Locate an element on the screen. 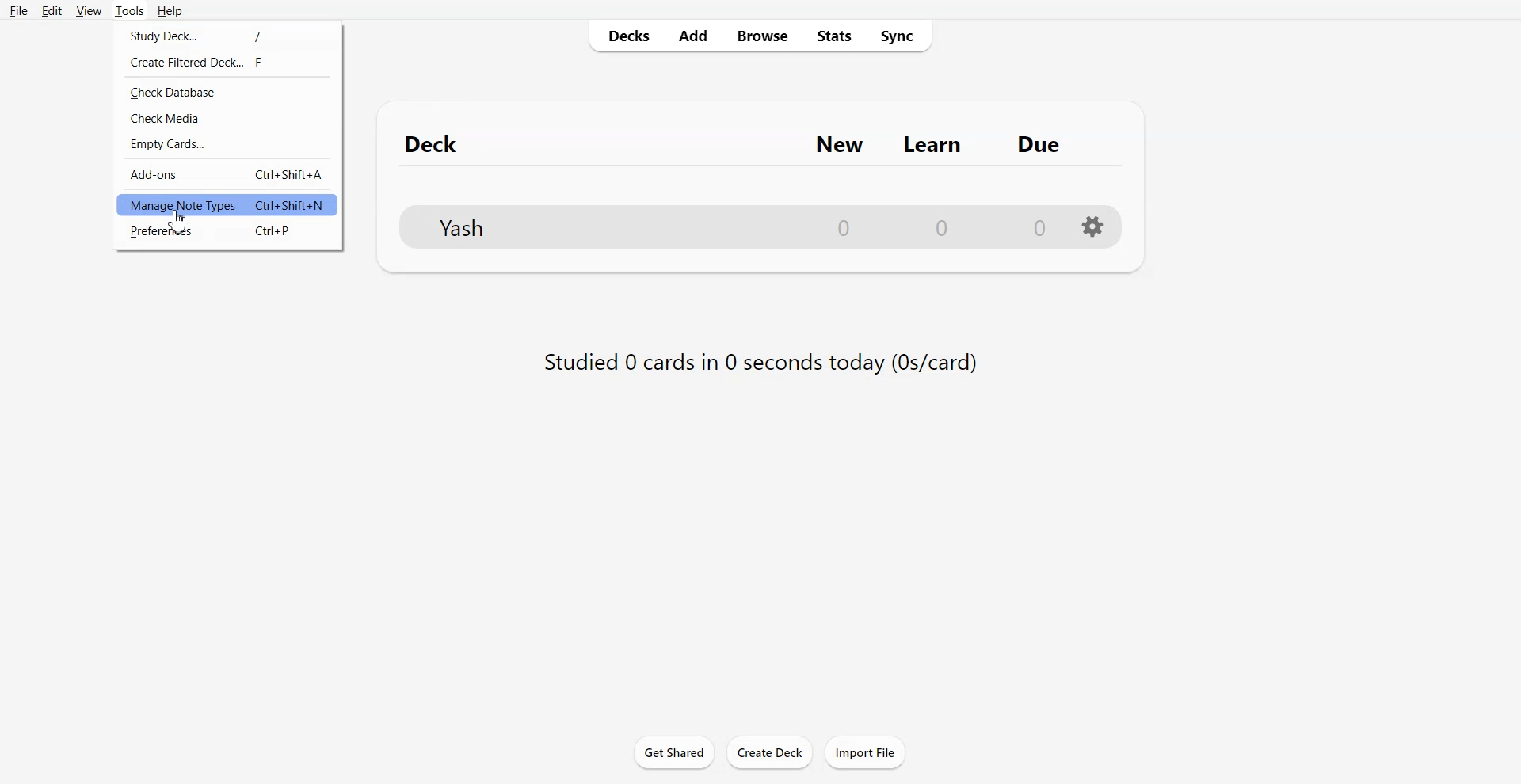 The image size is (1521, 784). Empty Cards is located at coordinates (228, 143).